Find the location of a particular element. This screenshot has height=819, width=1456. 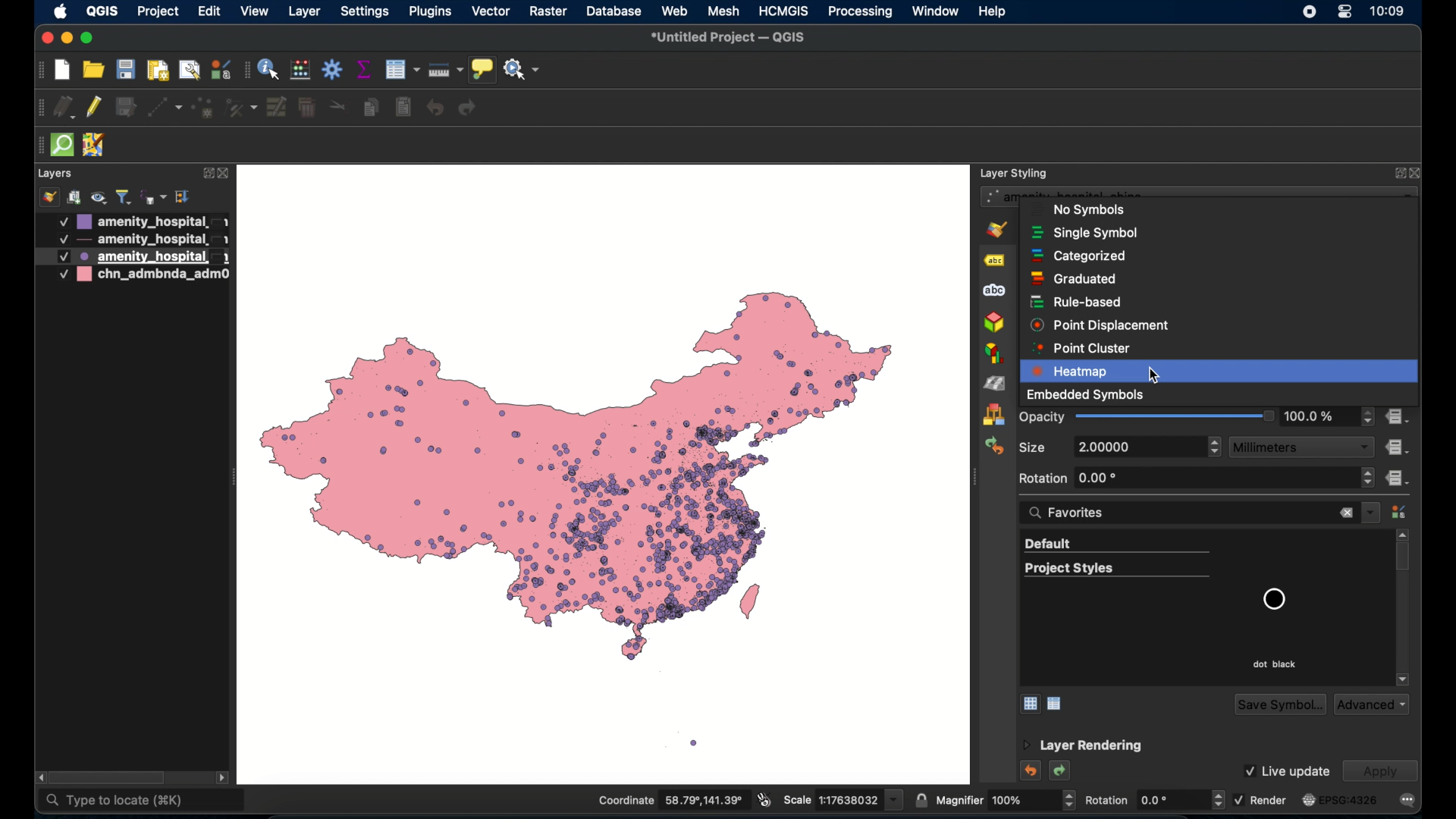

abels is located at coordinates (994, 262).